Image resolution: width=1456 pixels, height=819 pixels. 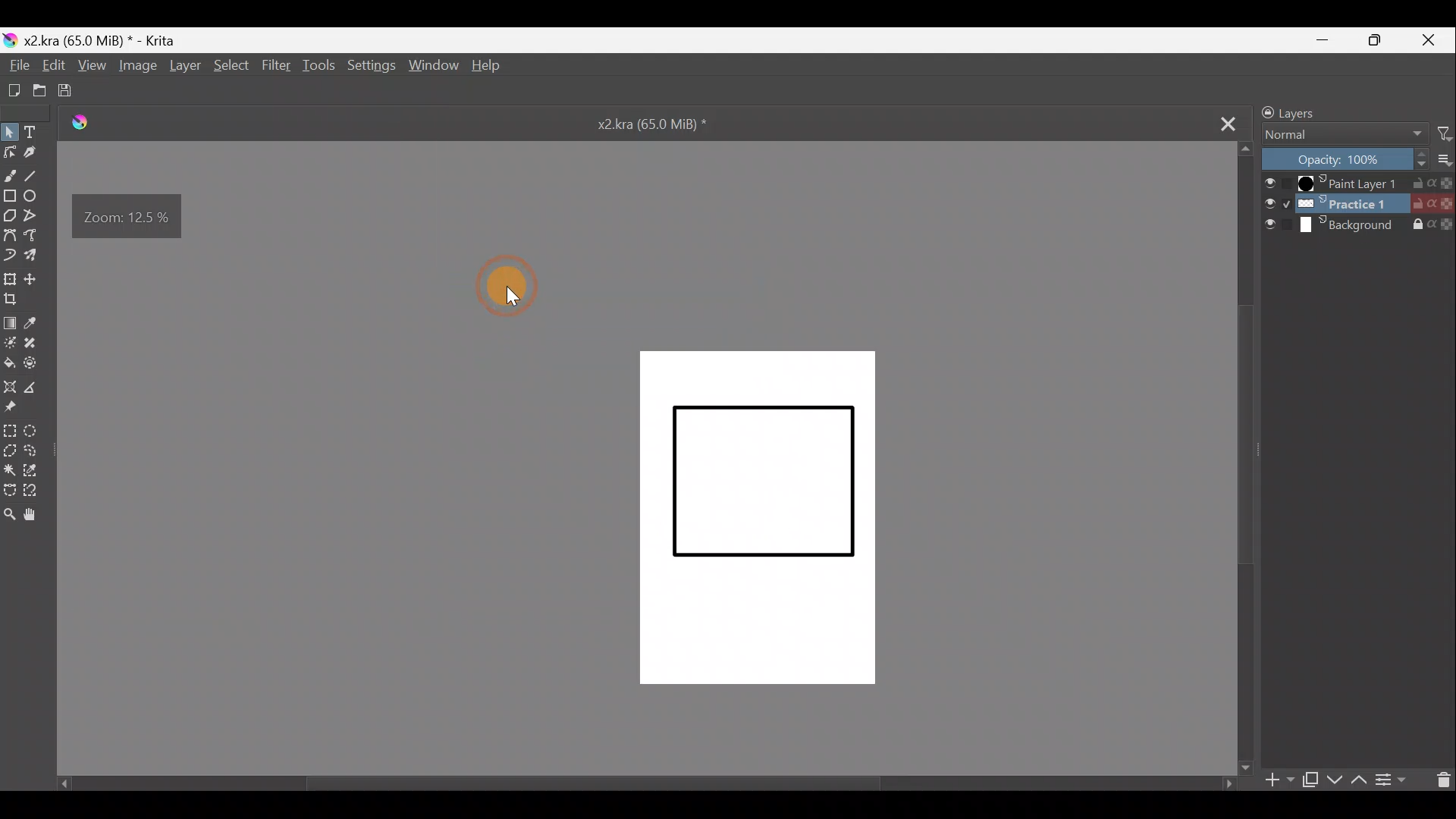 I want to click on Zoom - 12.5%, so click(x=130, y=215).